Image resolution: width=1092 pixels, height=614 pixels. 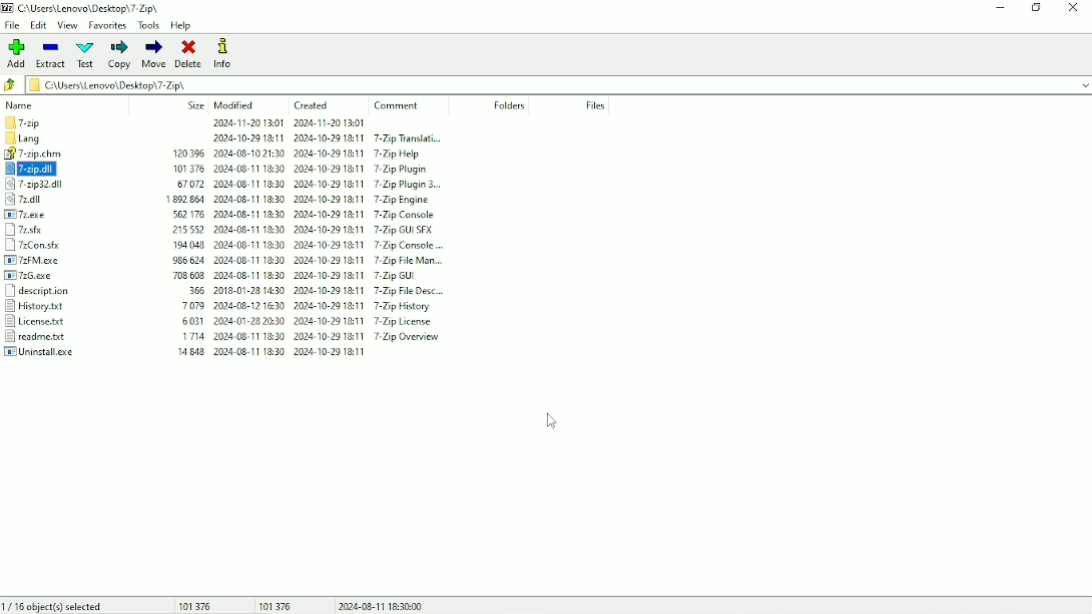 What do you see at coordinates (119, 54) in the screenshot?
I see `Copy` at bounding box center [119, 54].